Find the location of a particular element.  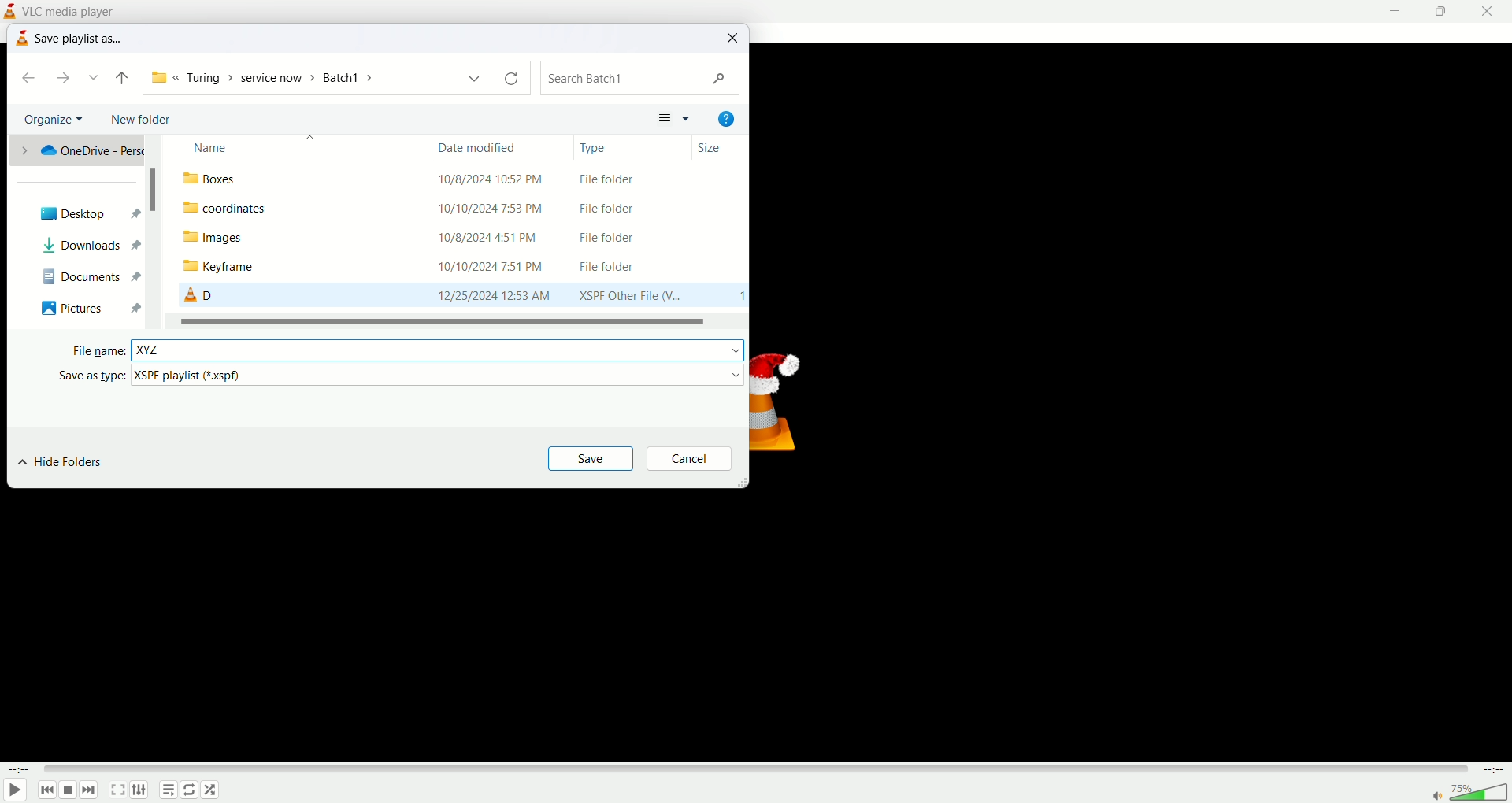

pictures is located at coordinates (72, 306).